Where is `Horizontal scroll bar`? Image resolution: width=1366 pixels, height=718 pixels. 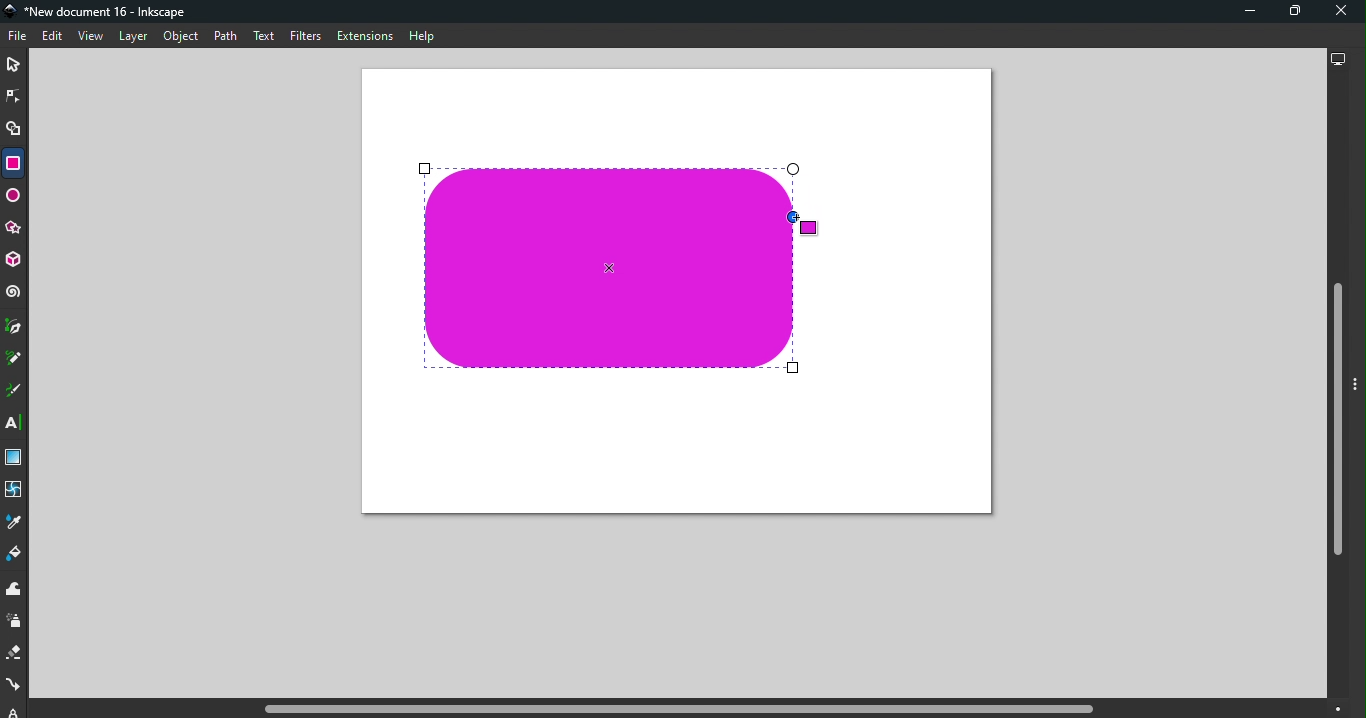
Horizontal scroll bar is located at coordinates (682, 709).